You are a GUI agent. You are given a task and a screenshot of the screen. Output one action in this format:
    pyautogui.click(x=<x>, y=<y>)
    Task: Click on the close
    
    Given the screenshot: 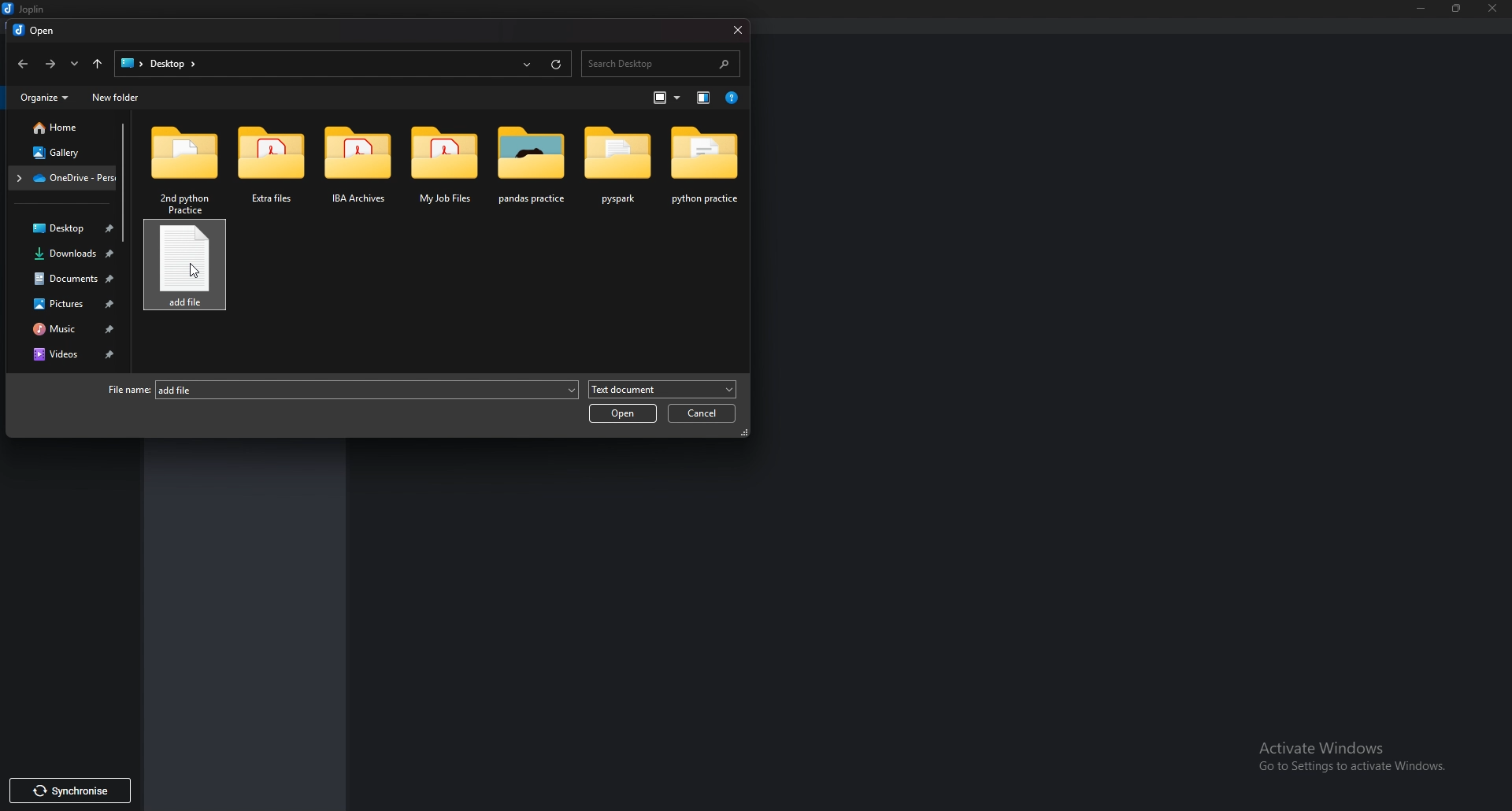 What is the action you would take?
    pyautogui.click(x=1492, y=10)
    